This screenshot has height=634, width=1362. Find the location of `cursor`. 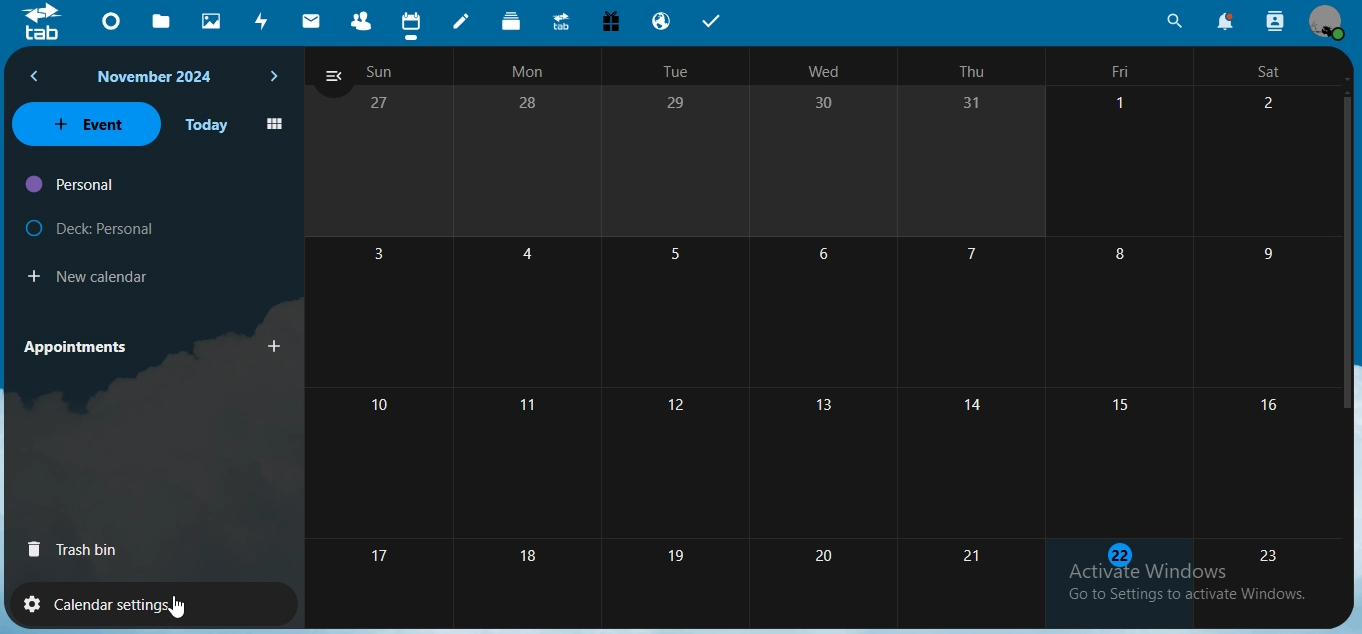

cursor is located at coordinates (176, 607).